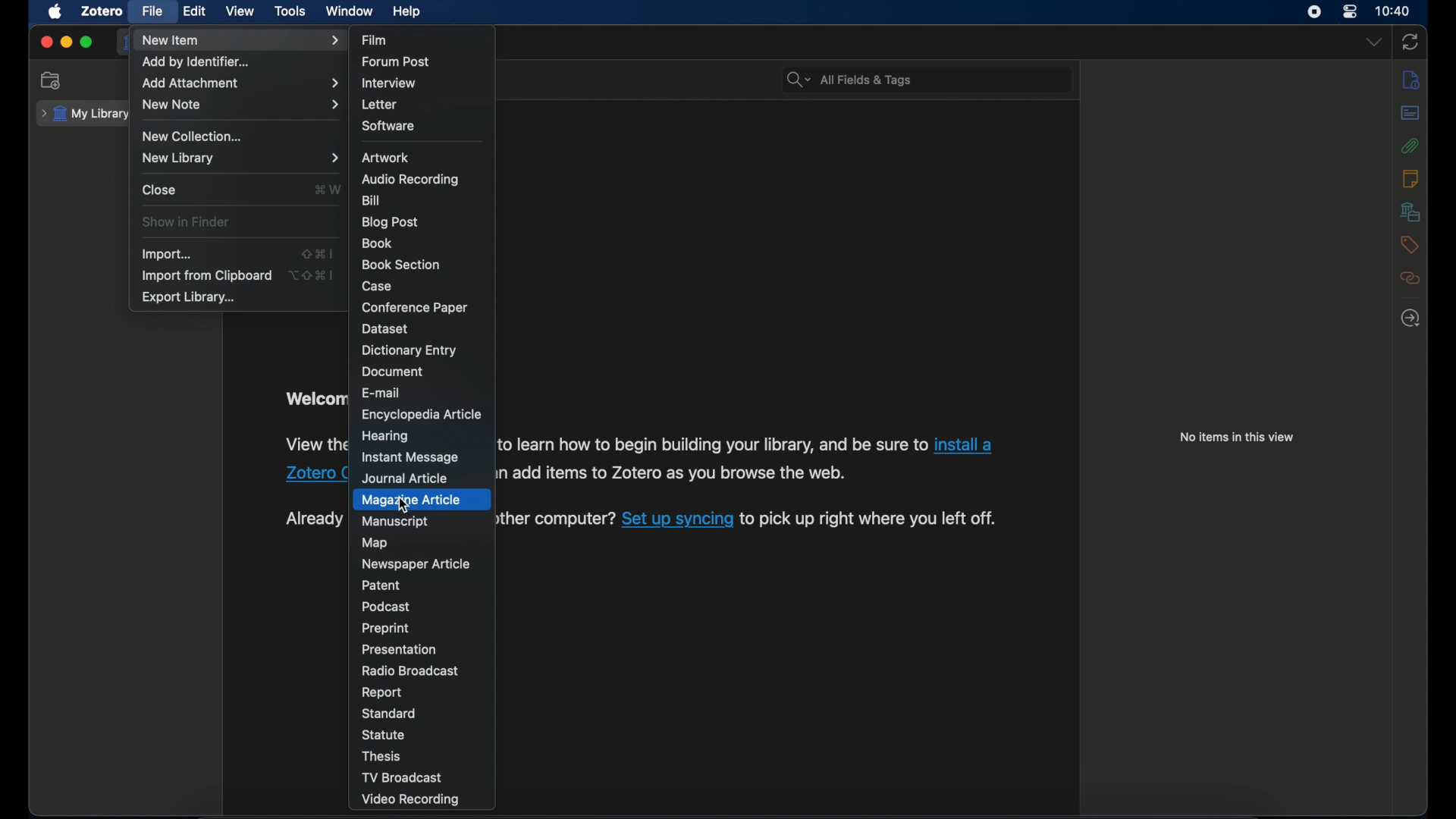 This screenshot has height=819, width=1456. I want to click on Zotero Connector, so click(314, 475).